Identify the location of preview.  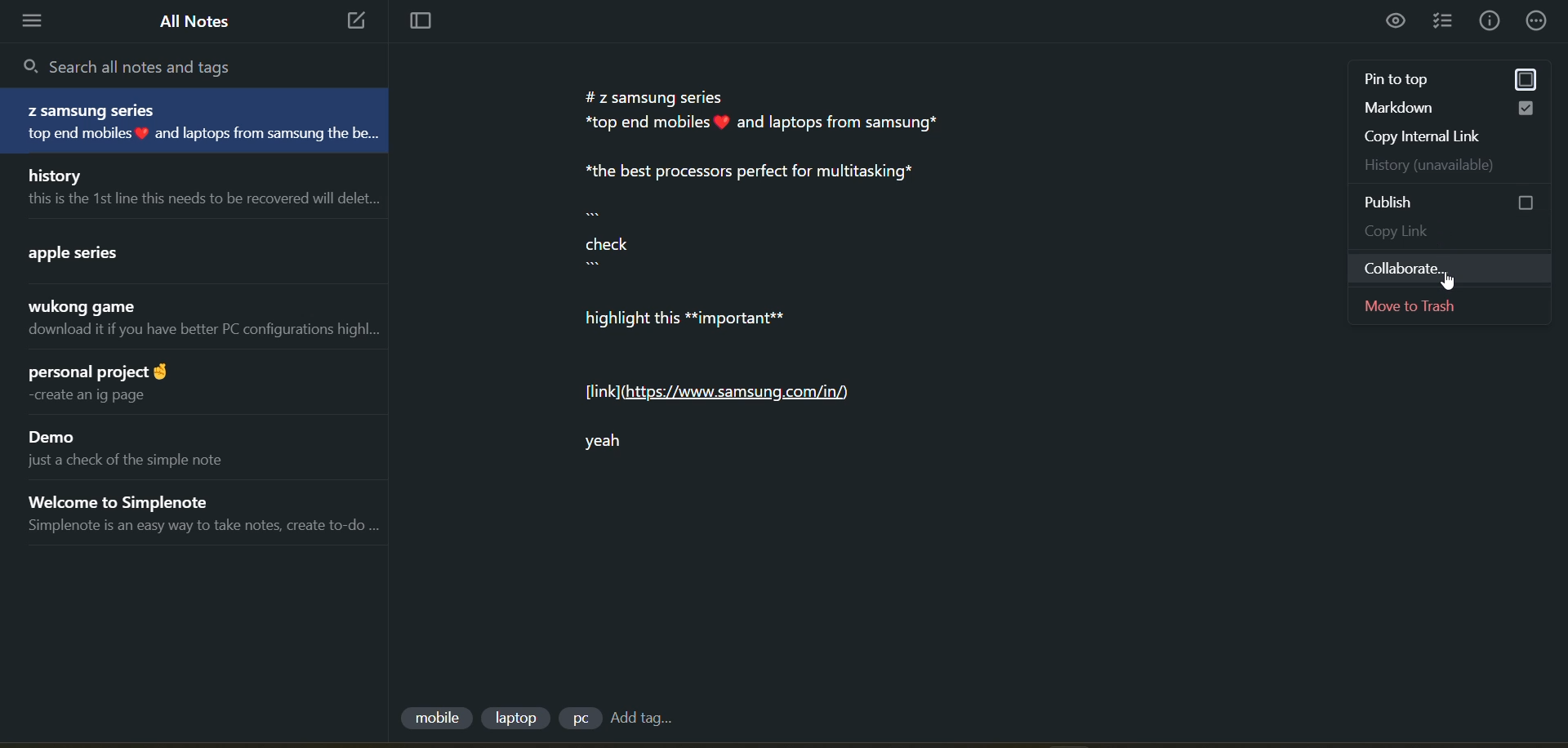
(1397, 23).